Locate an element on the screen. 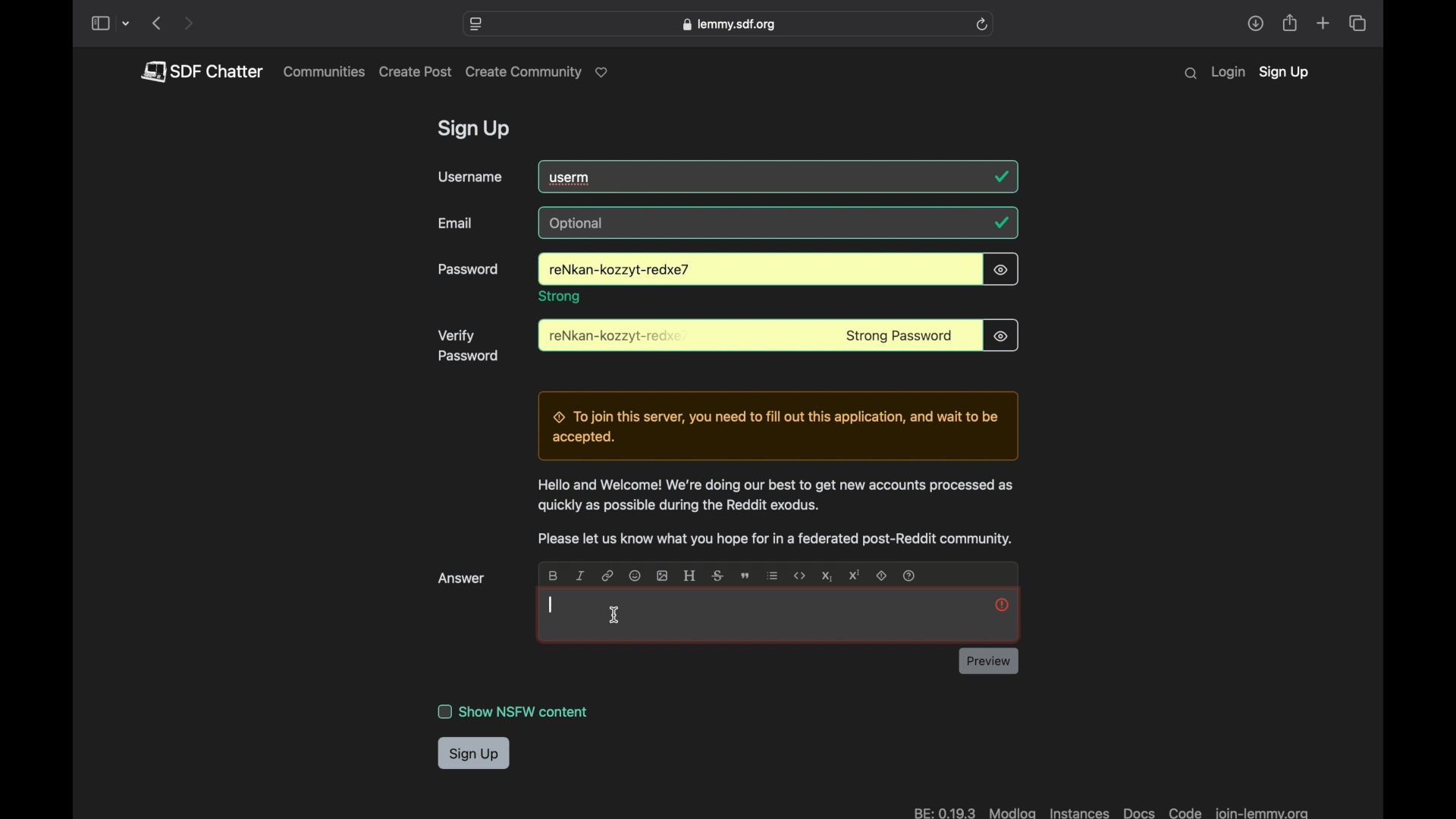 Image resolution: width=1456 pixels, height=819 pixels. username is located at coordinates (470, 177).